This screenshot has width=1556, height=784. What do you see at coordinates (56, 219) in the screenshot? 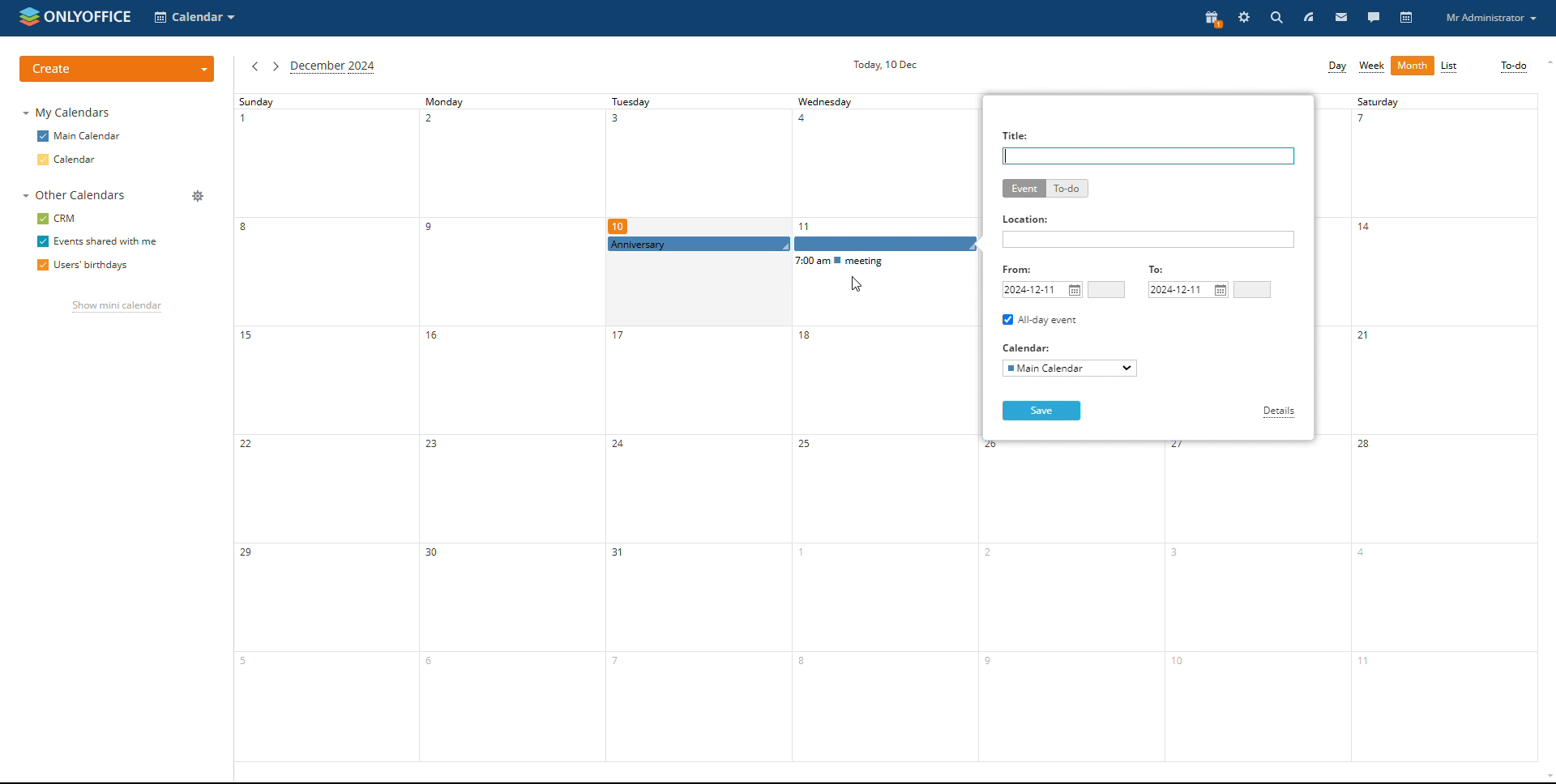
I see `crm` at bounding box center [56, 219].